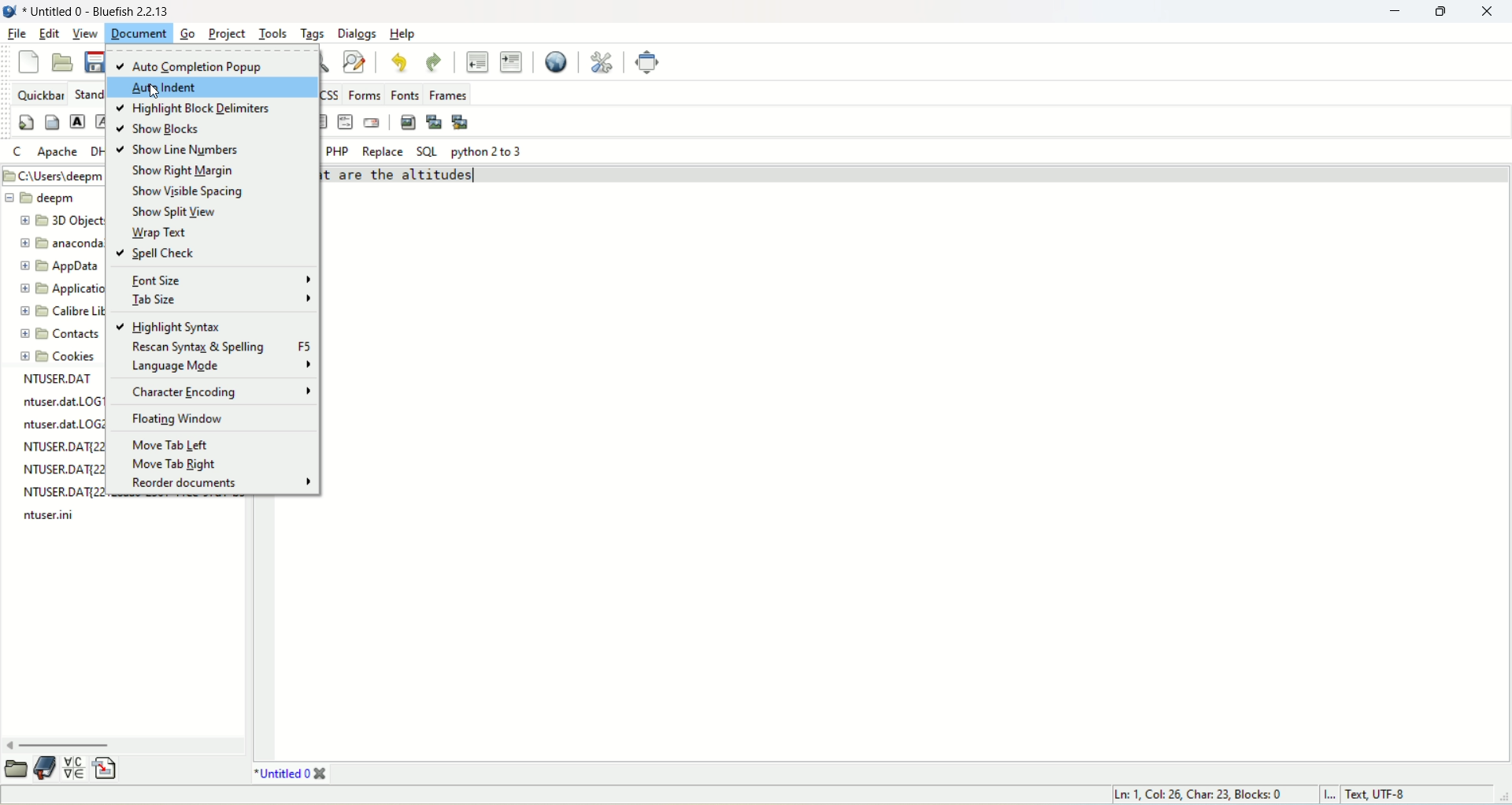 Image resolution: width=1512 pixels, height=805 pixels. Describe the element at coordinates (461, 121) in the screenshot. I see `multi thumbnail` at that location.